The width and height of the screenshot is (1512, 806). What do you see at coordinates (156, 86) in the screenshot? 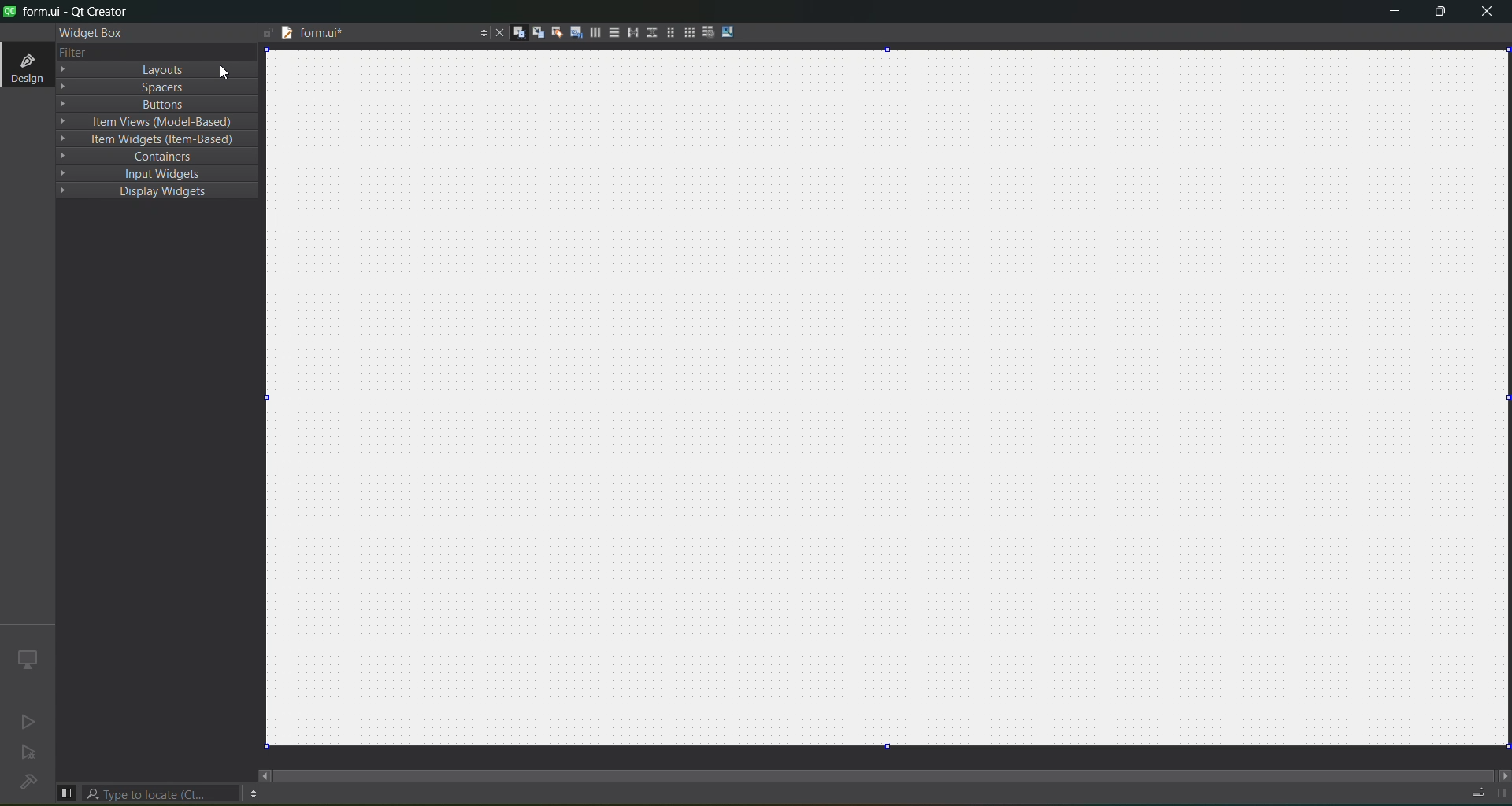
I see `spaces` at bounding box center [156, 86].